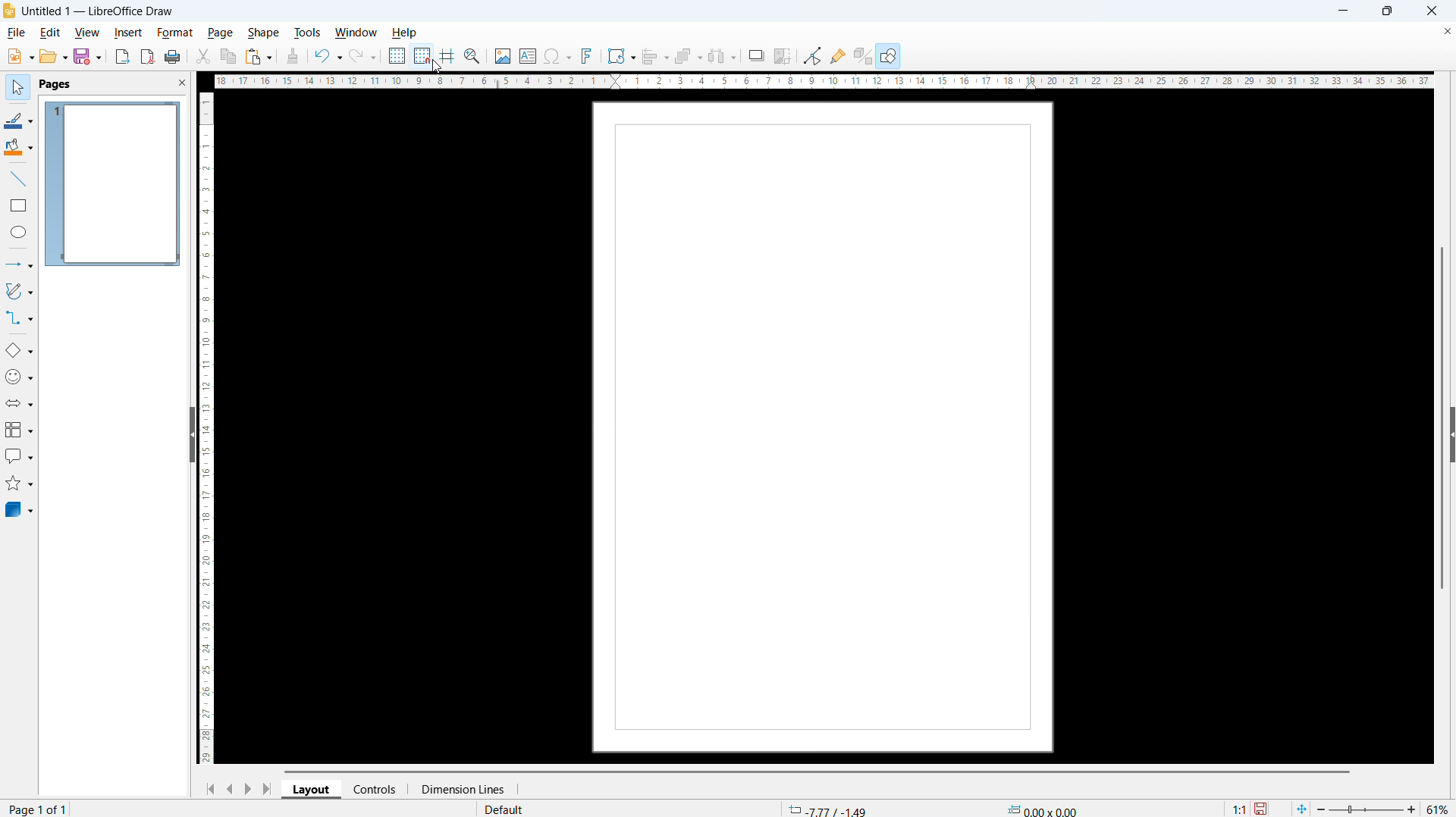 The image size is (1456, 817). What do you see at coordinates (96, 12) in the screenshot?
I see `Untitled1 - LibreOffice Draw` at bounding box center [96, 12].